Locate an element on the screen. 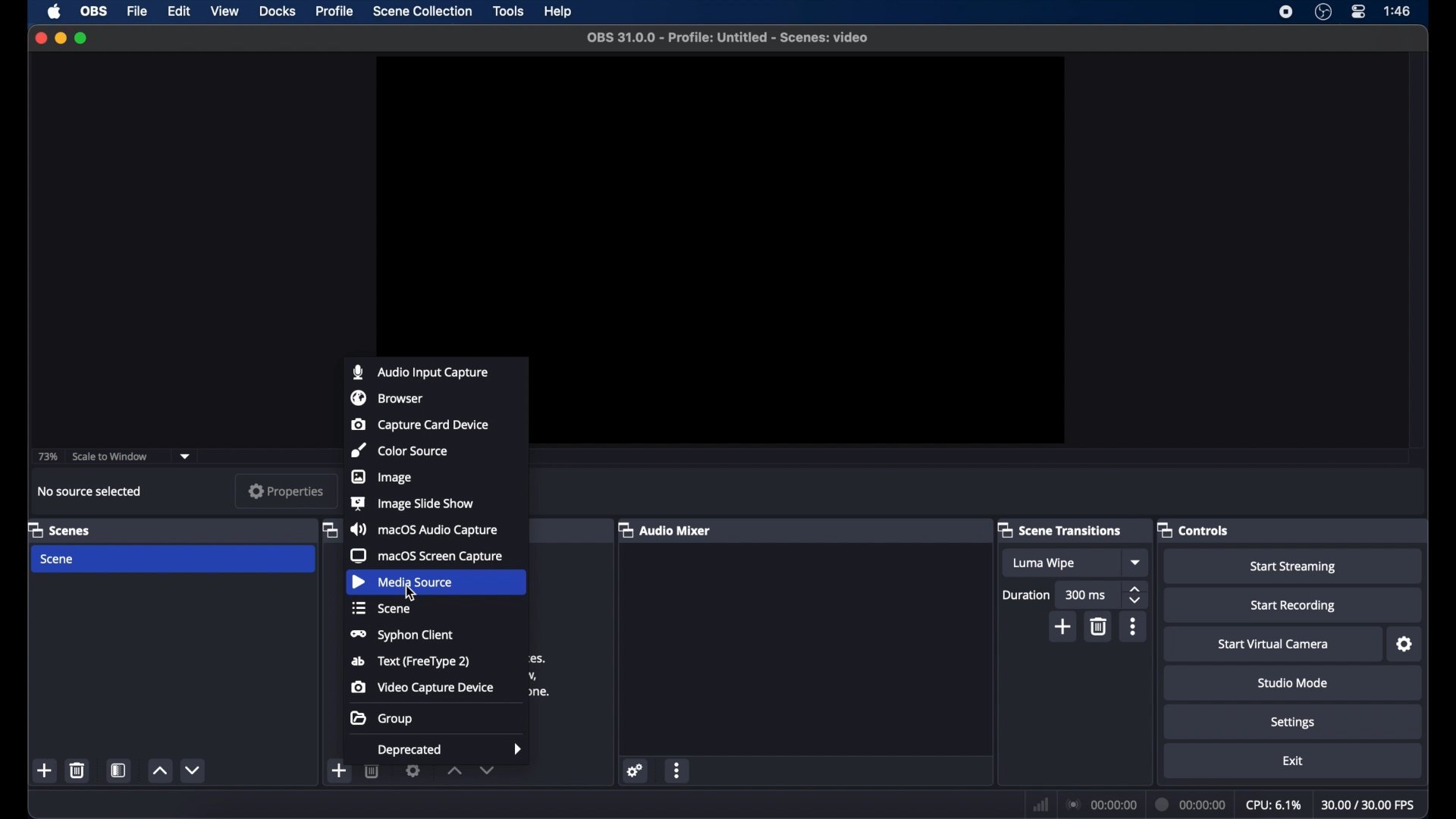 The height and width of the screenshot is (819, 1456). decrement is located at coordinates (488, 770).